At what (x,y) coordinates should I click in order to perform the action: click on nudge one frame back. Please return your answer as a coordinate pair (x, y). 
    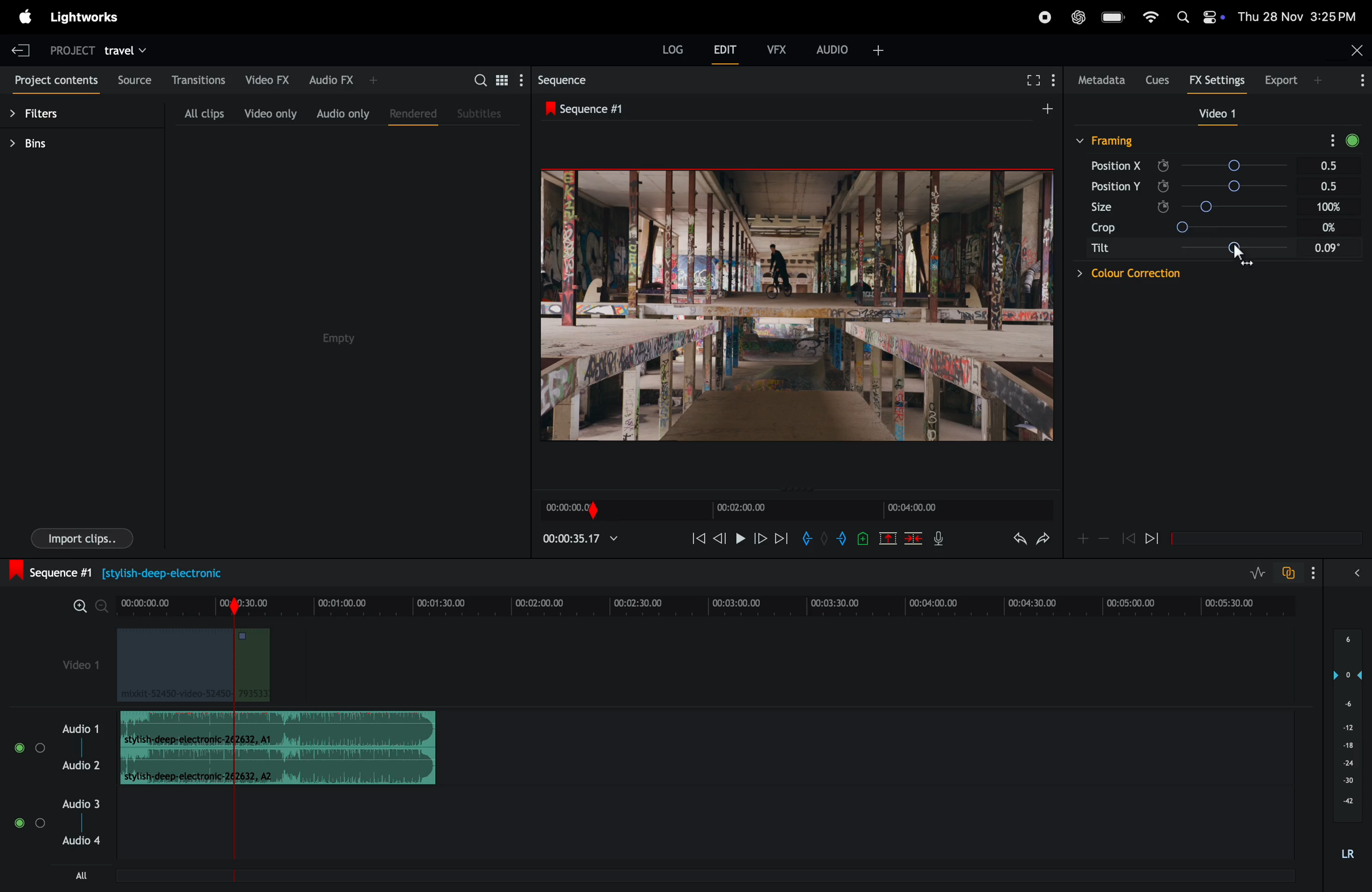
    Looking at the image, I should click on (720, 542).